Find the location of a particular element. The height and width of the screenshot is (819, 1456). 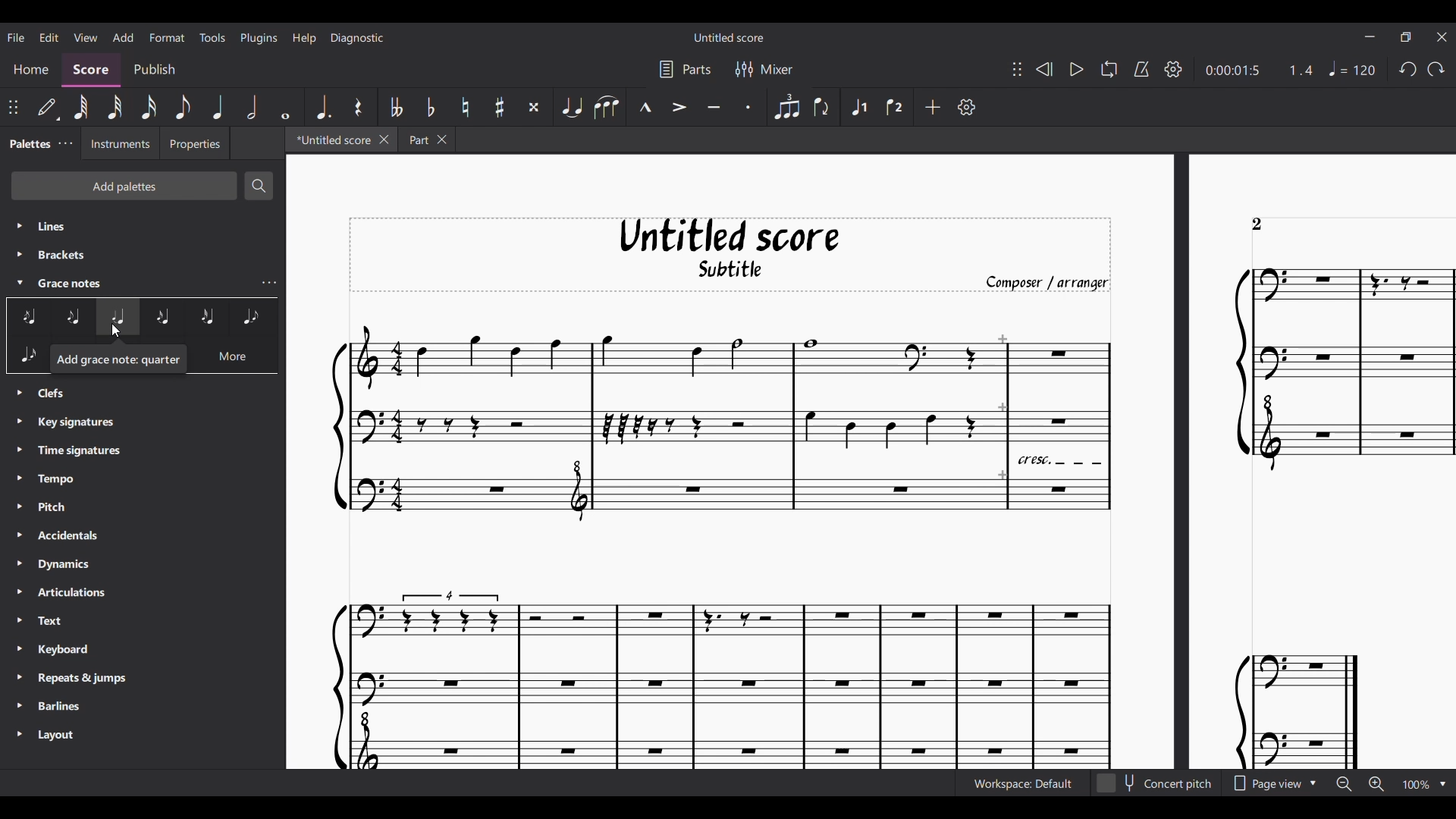

Customize toolbar is located at coordinates (967, 107).